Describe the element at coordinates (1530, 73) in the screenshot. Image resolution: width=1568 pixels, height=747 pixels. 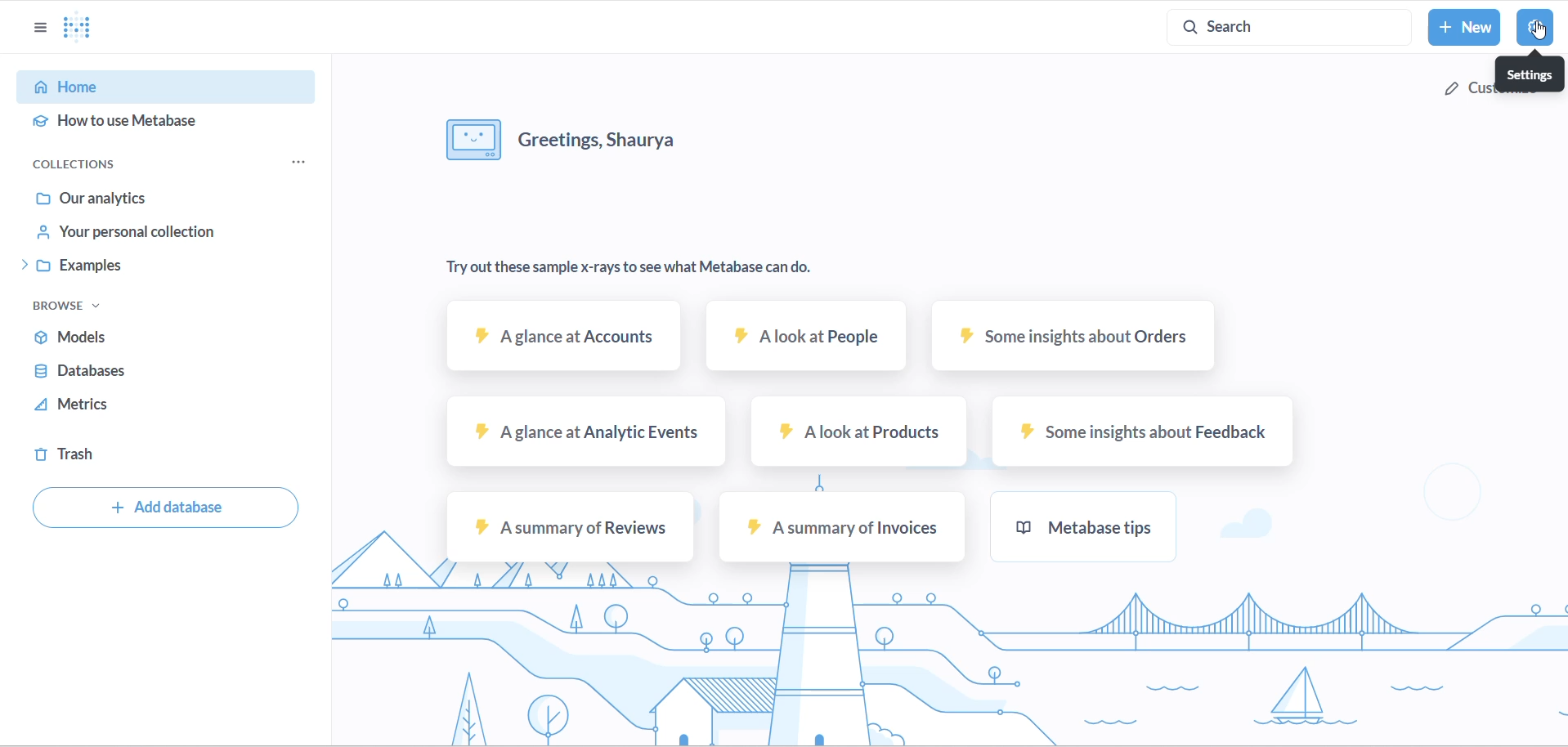
I see `settings` at that location.